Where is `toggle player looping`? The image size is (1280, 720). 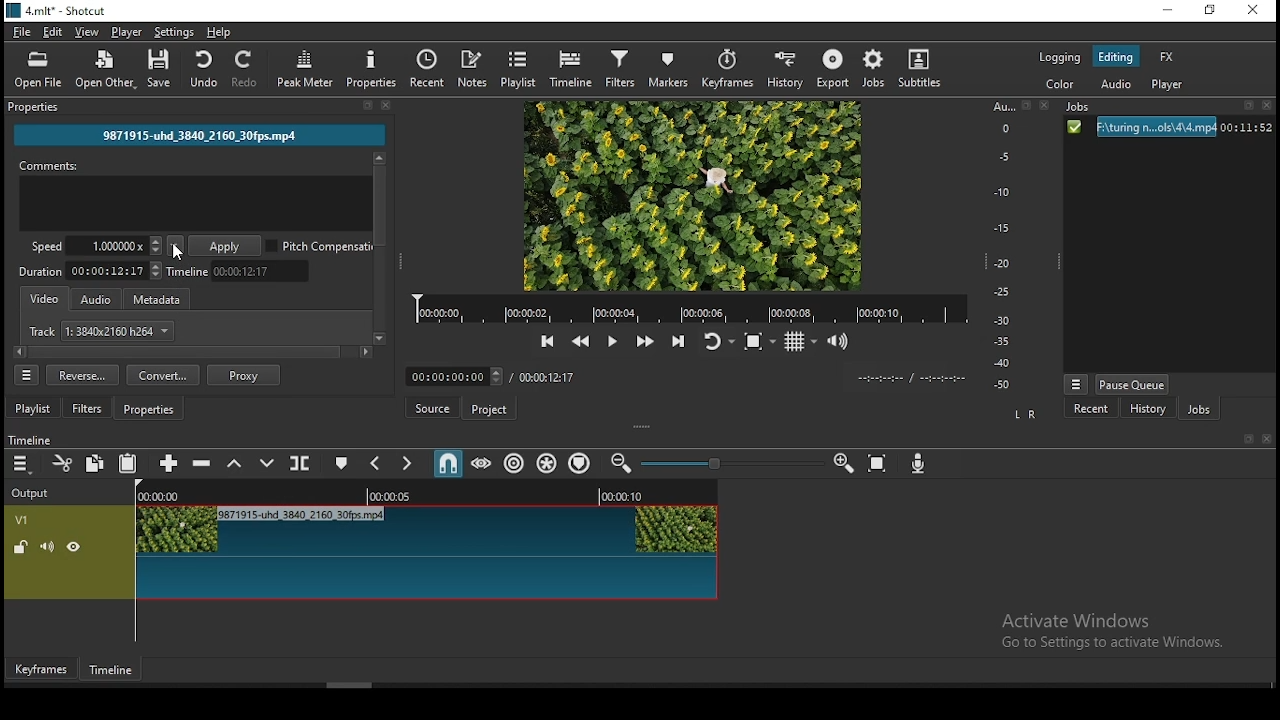 toggle player looping is located at coordinates (717, 346).